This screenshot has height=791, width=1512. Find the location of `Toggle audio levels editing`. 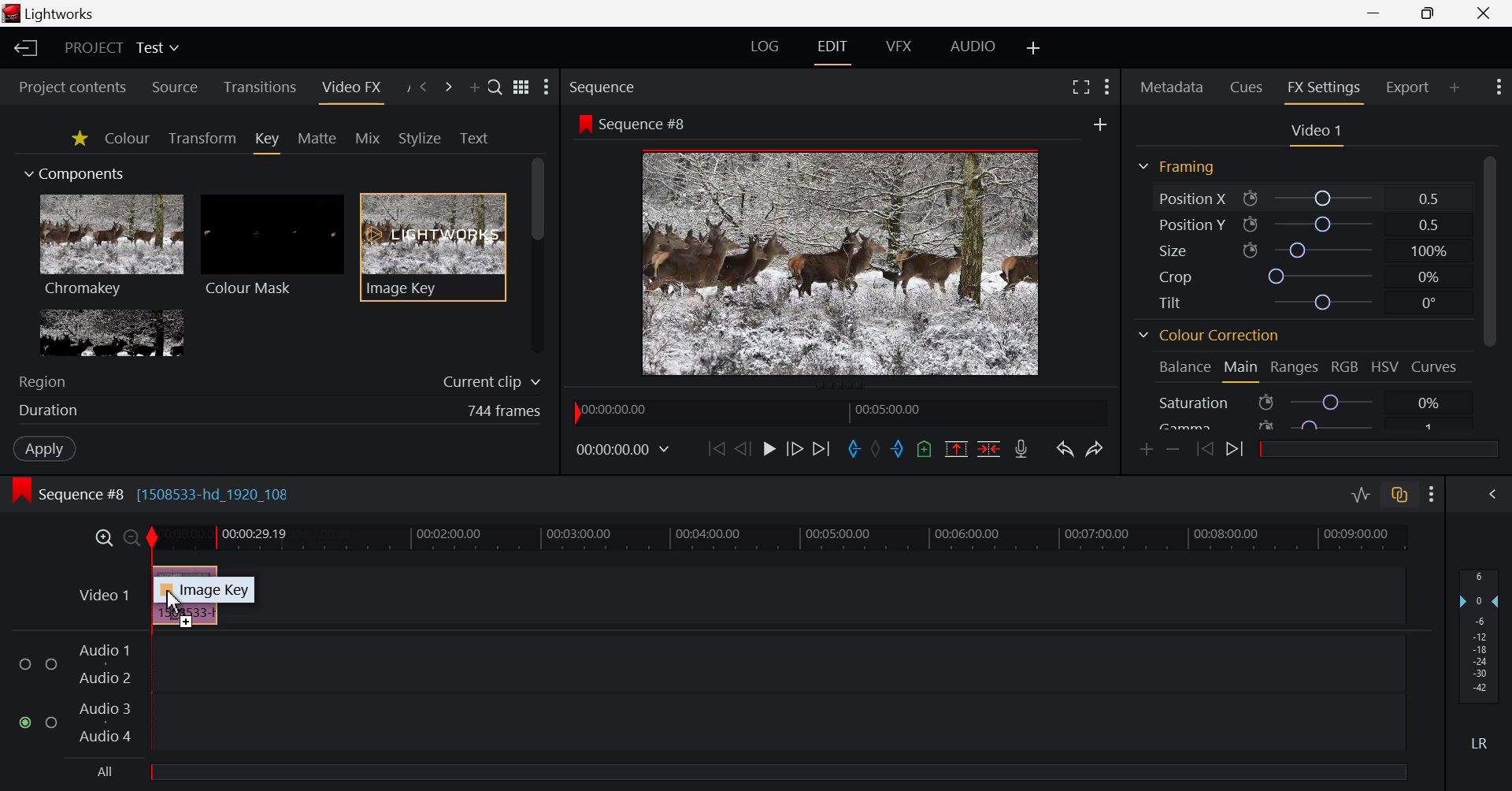

Toggle audio levels editing is located at coordinates (1360, 496).